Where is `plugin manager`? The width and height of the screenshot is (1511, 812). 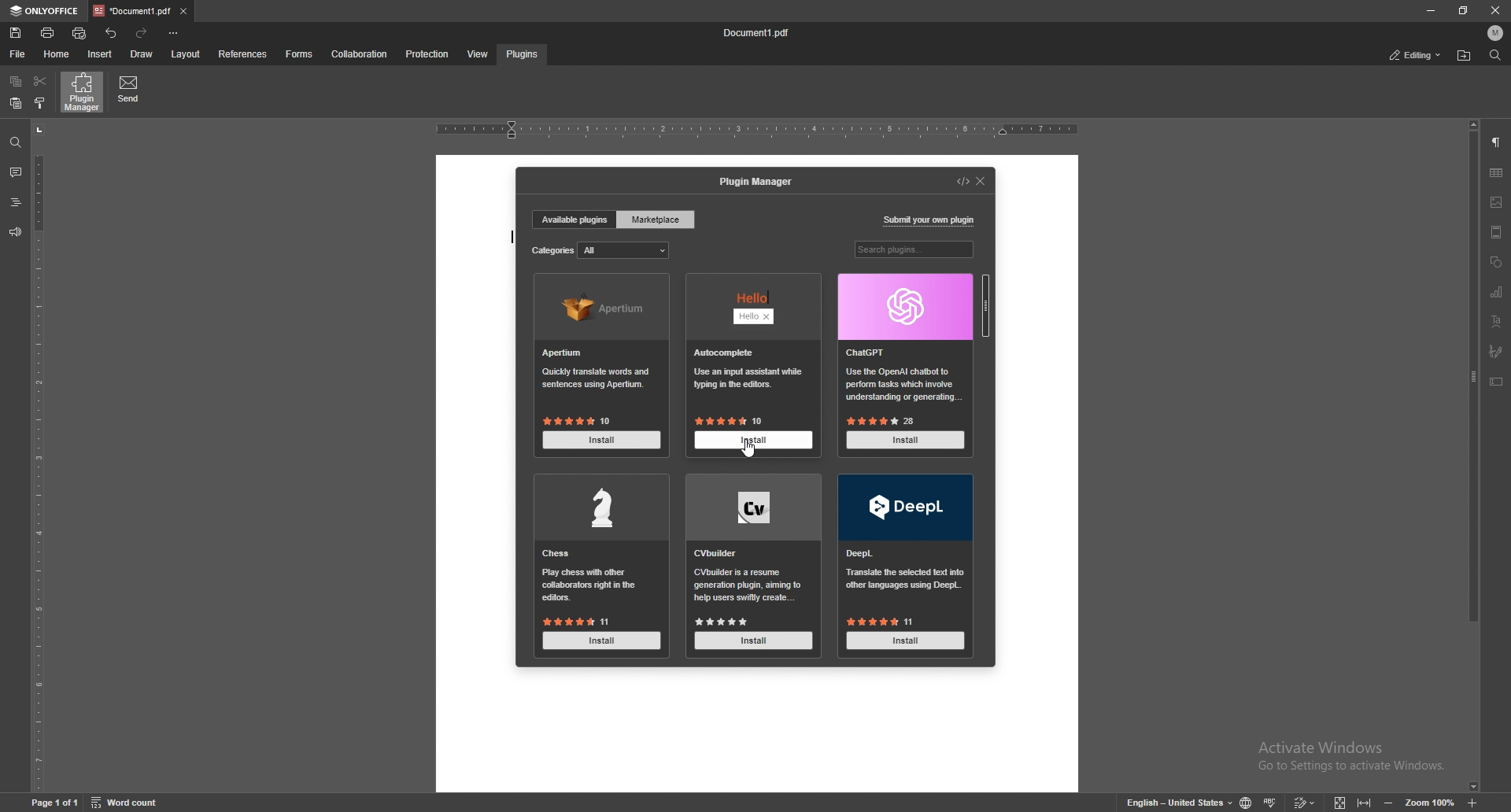 plugin manager is located at coordinates (83, 91).